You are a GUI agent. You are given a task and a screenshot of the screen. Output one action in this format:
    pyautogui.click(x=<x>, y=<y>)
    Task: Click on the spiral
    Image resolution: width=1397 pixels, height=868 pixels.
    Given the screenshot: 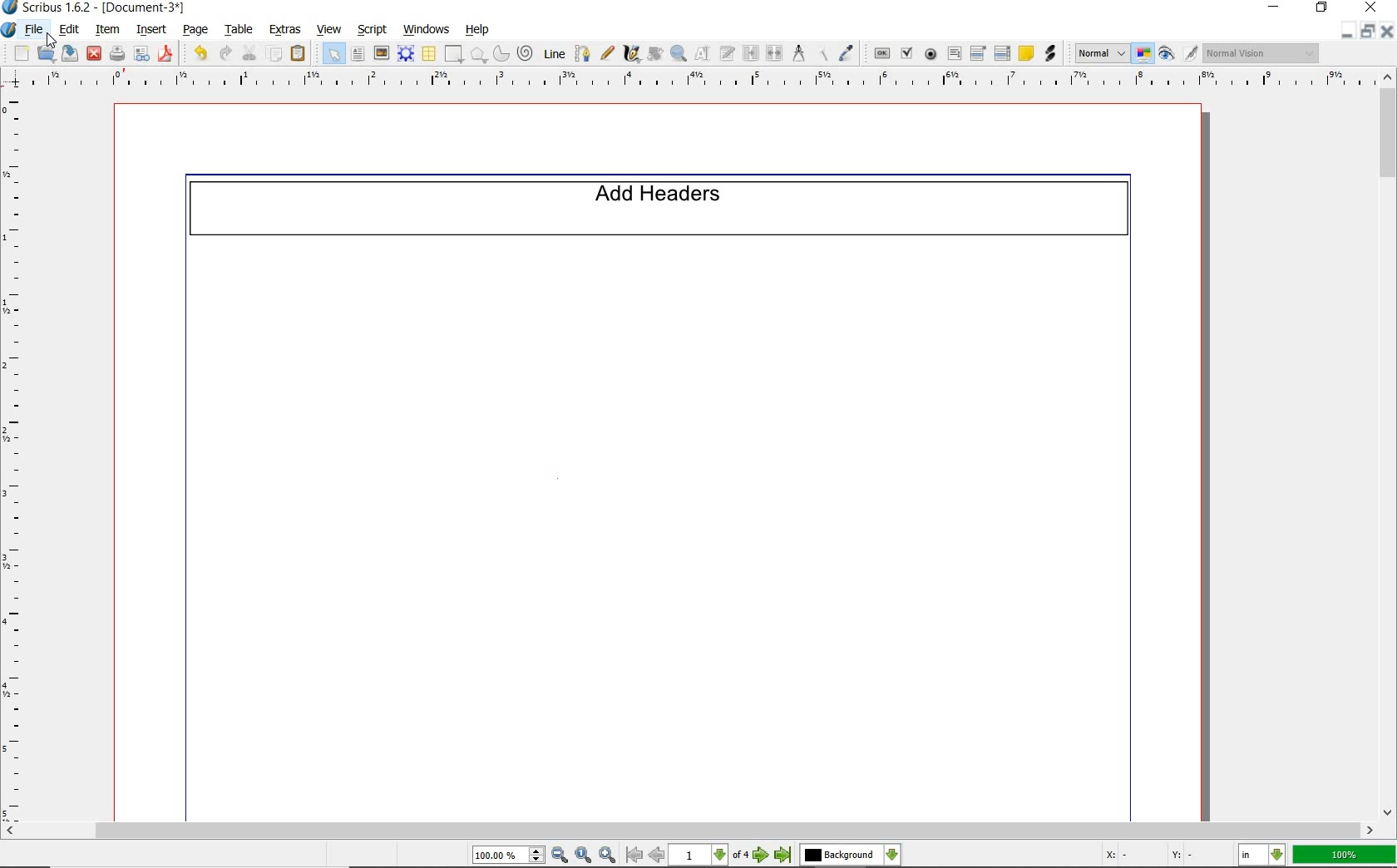 What is the action you would take?
    pyautogui.click(x=526, y=52)
    